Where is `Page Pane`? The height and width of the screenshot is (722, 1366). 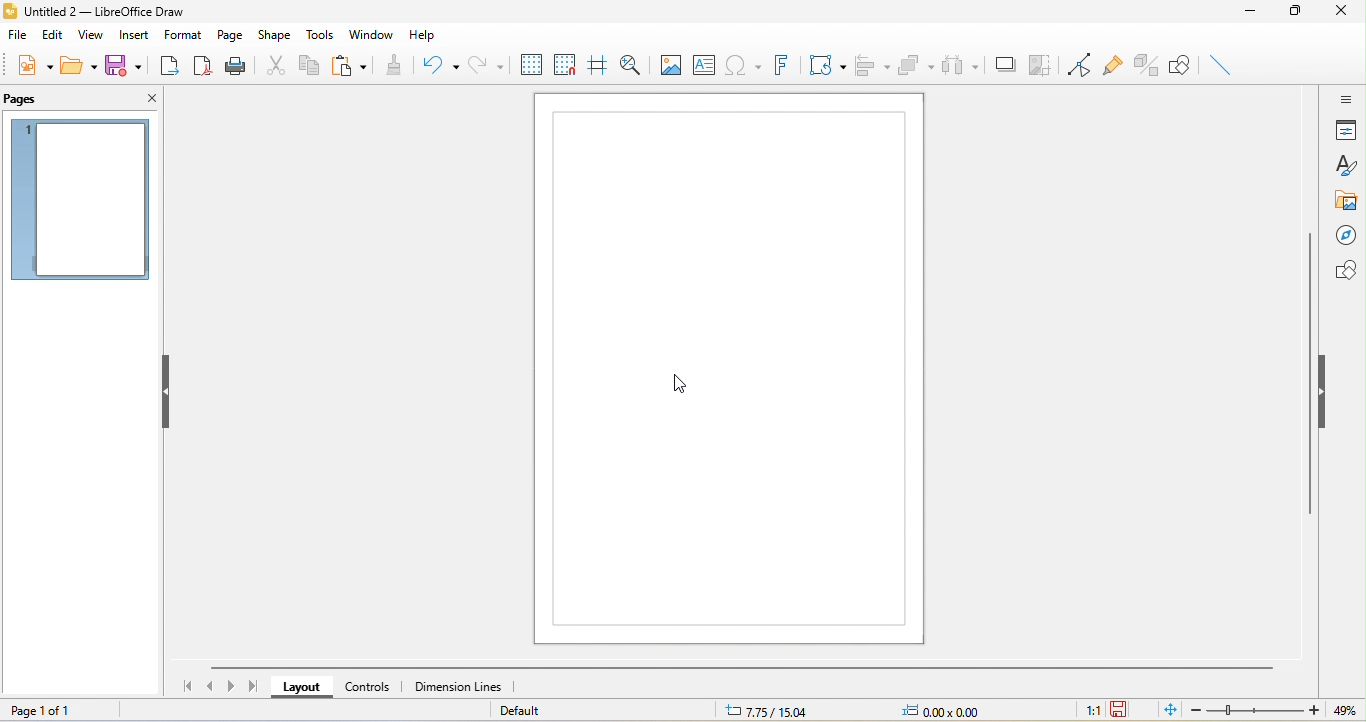 Page Pane is located at coordinates (1147, 65).